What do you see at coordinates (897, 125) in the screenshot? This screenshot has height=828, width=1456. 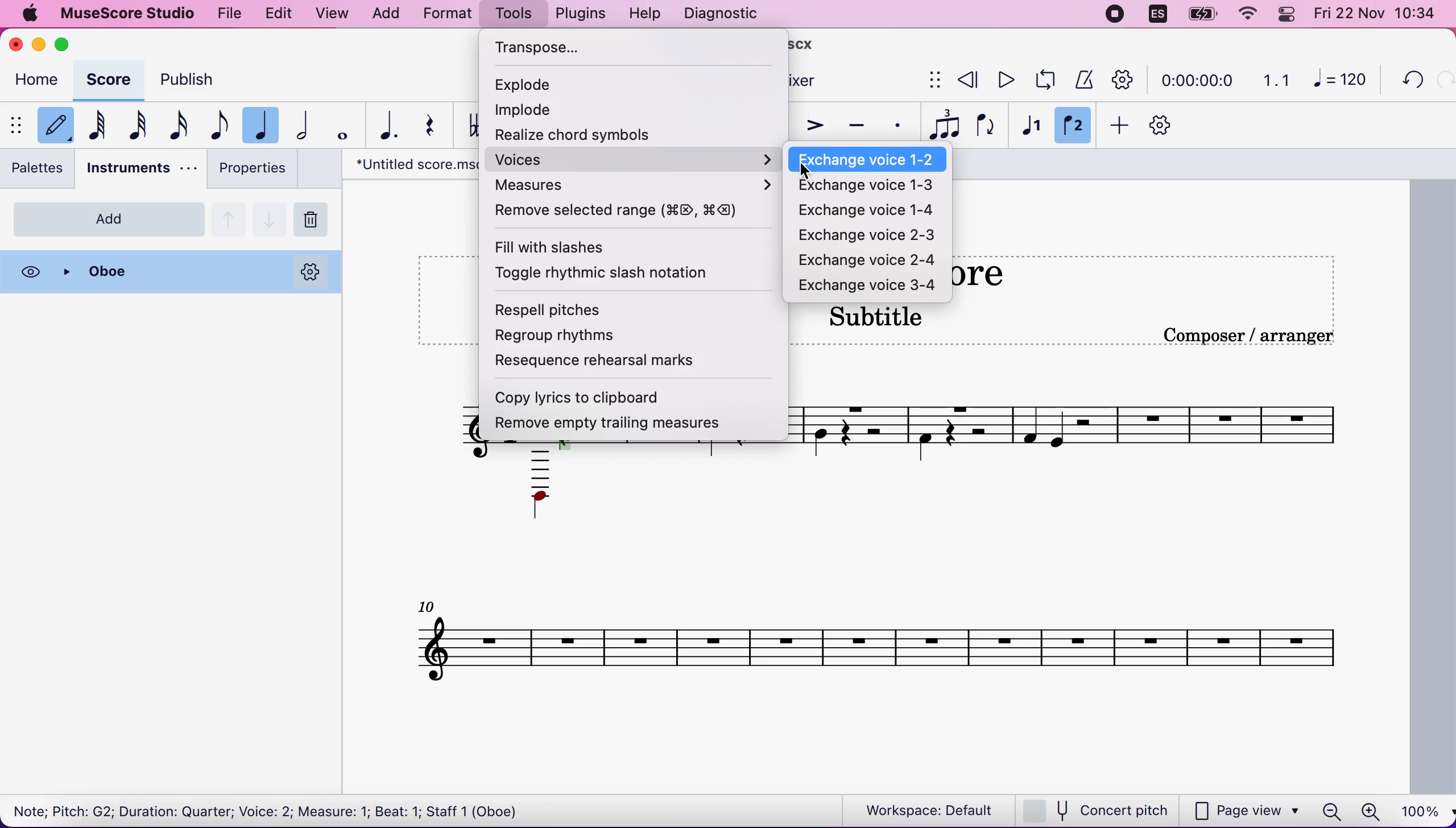 I see `staccato` at bounding box center [897, 125].